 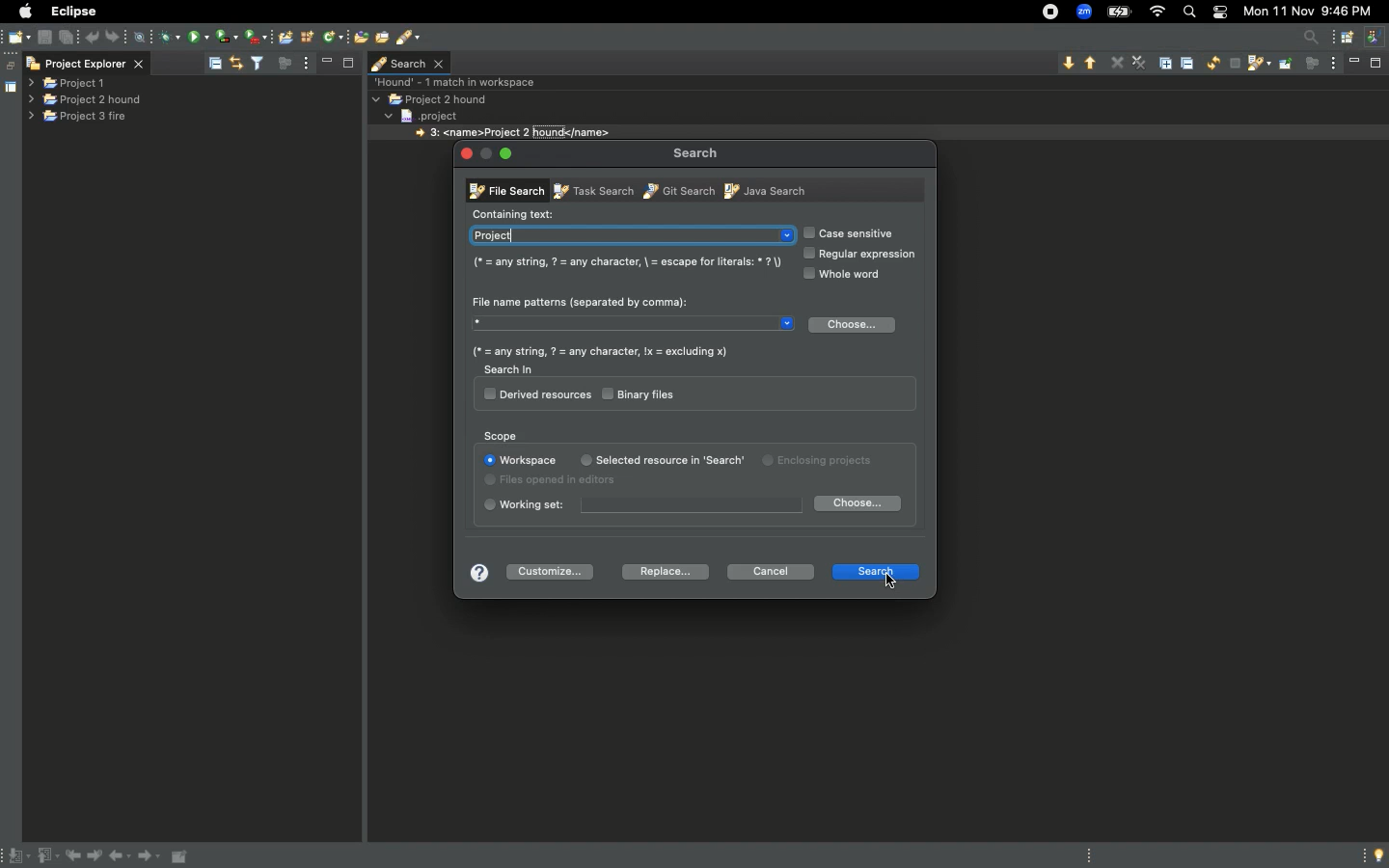 I want to click on Project 2 hound, so click(x=432, y=99).